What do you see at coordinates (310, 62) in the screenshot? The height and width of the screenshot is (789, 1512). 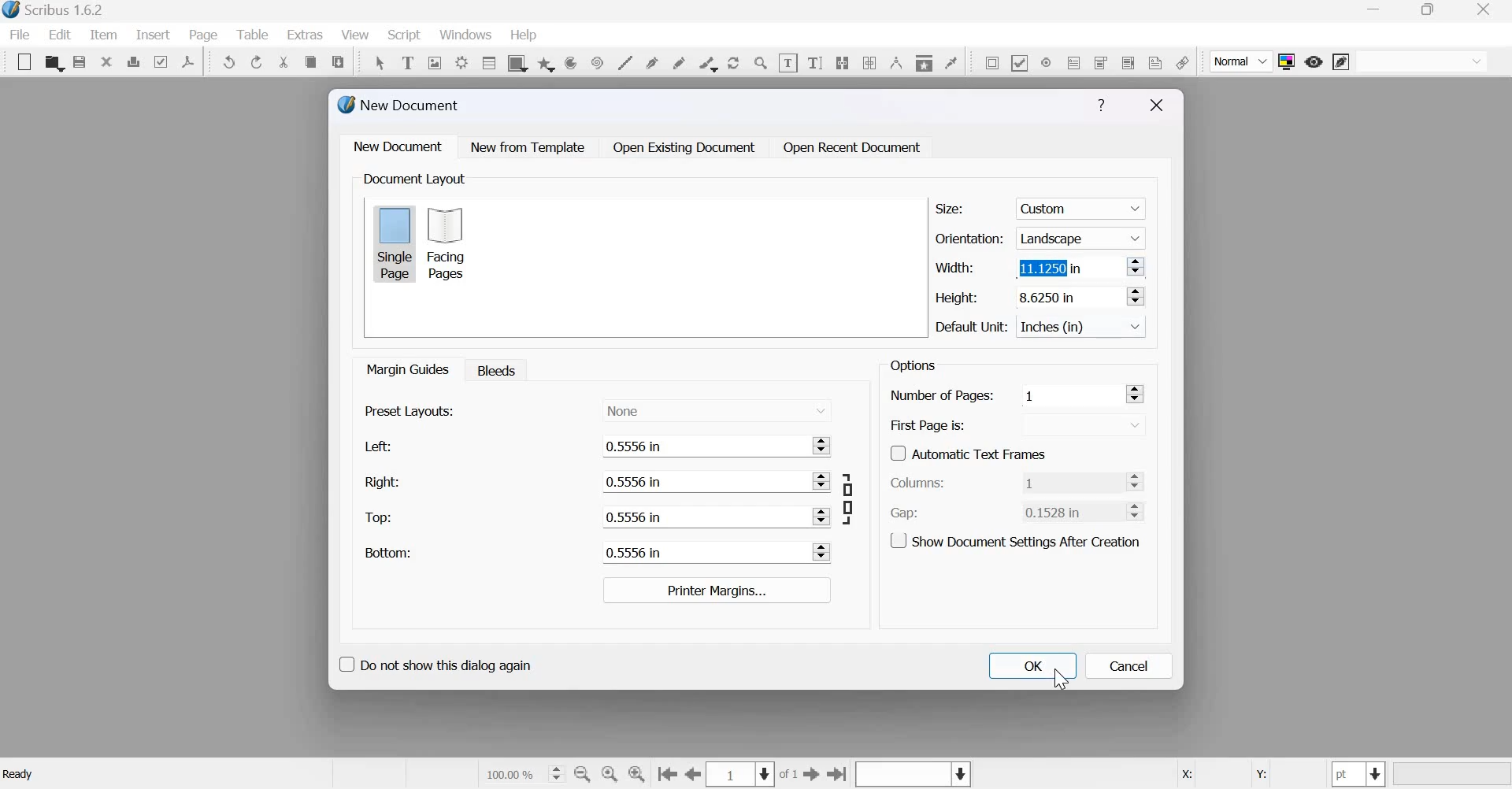 I see `copy` at bounding box center [310, 62].